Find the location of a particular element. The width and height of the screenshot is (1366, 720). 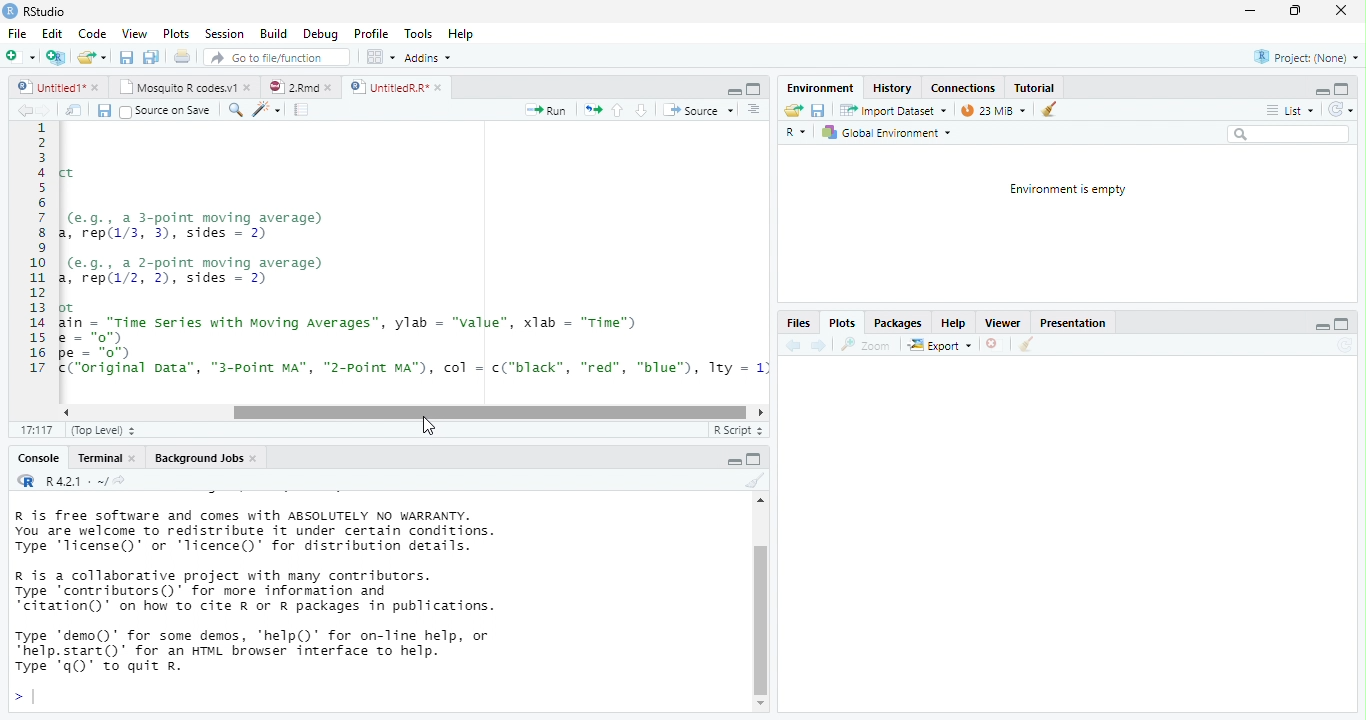

(Top Level) is located at coordinates (98, 431).